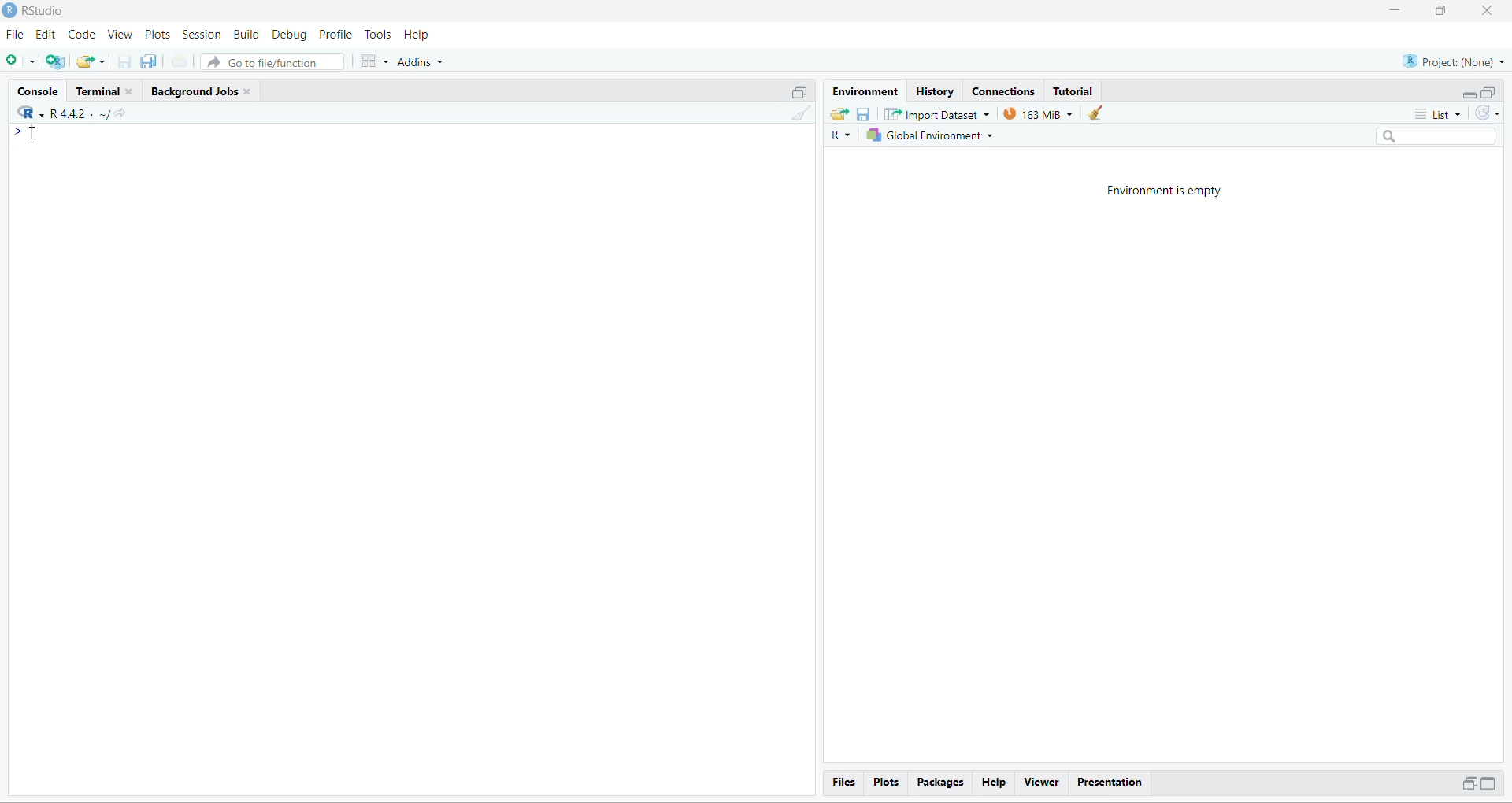 The width and height of the screenshot is (1512, 803). I want to click on Connections, so click(1002, 90).